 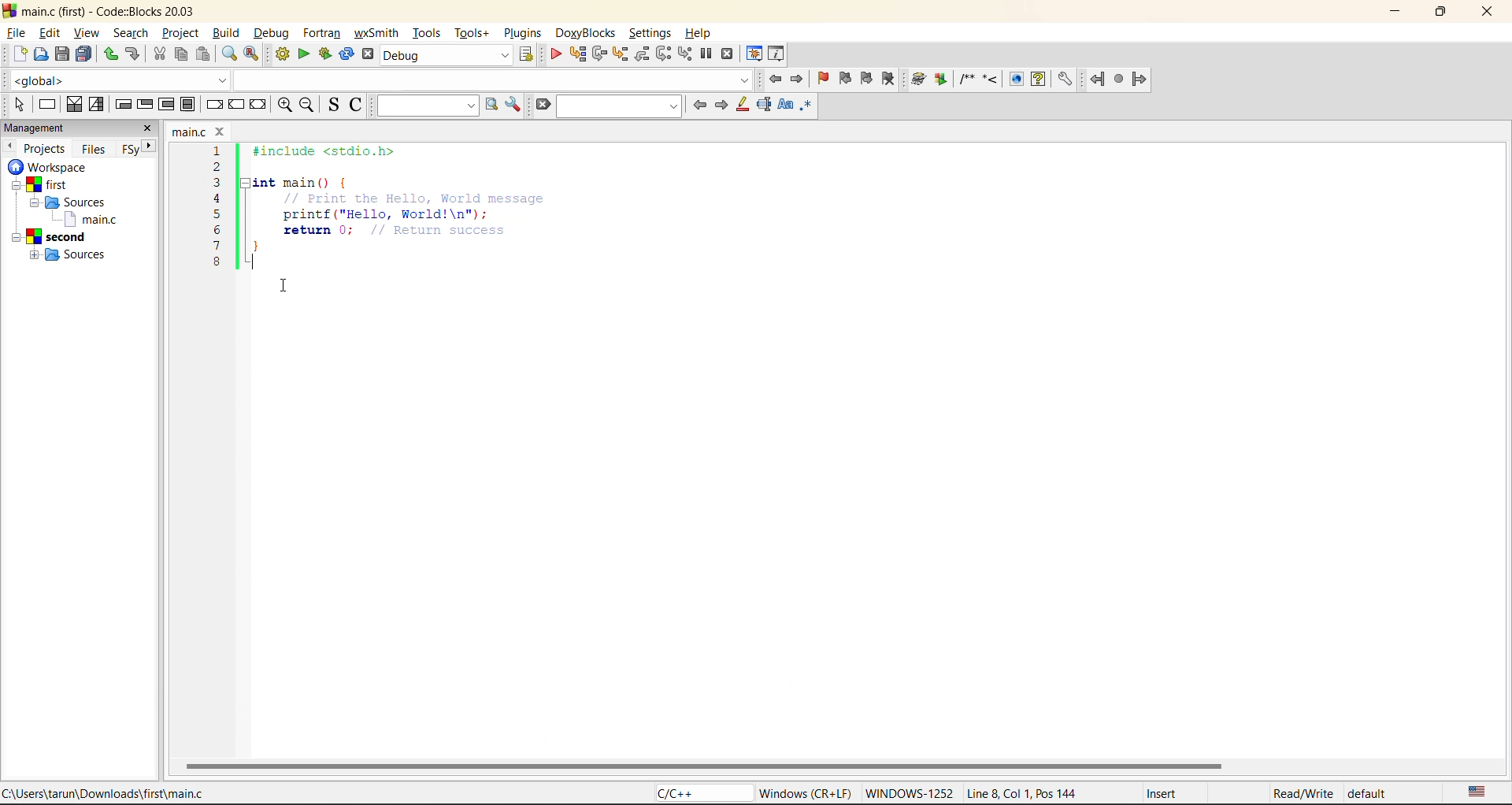 I want to click on code, so click(x=387, y=217).